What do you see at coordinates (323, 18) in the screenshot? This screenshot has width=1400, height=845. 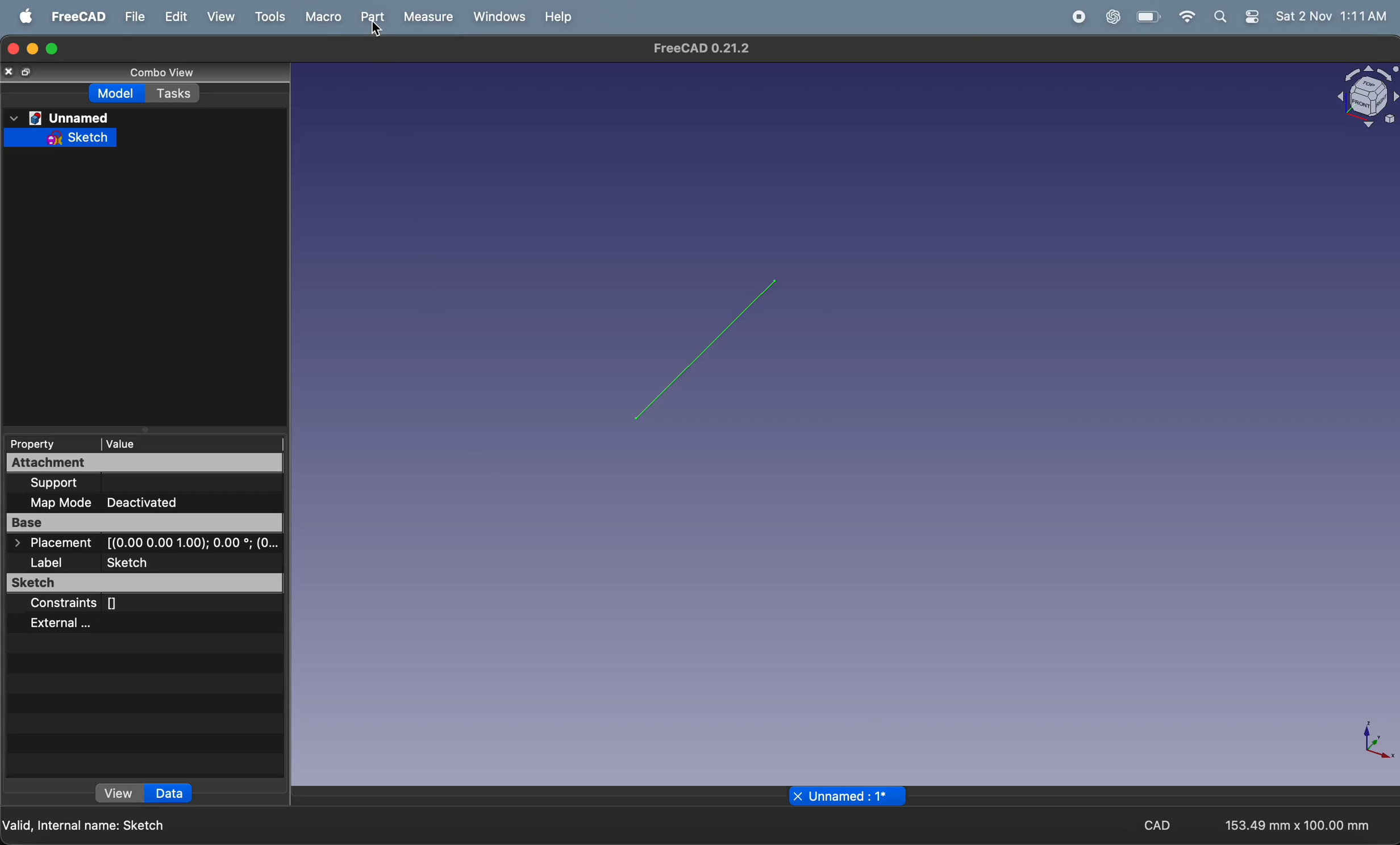 I see `marco` at bounding box center [323, 18].